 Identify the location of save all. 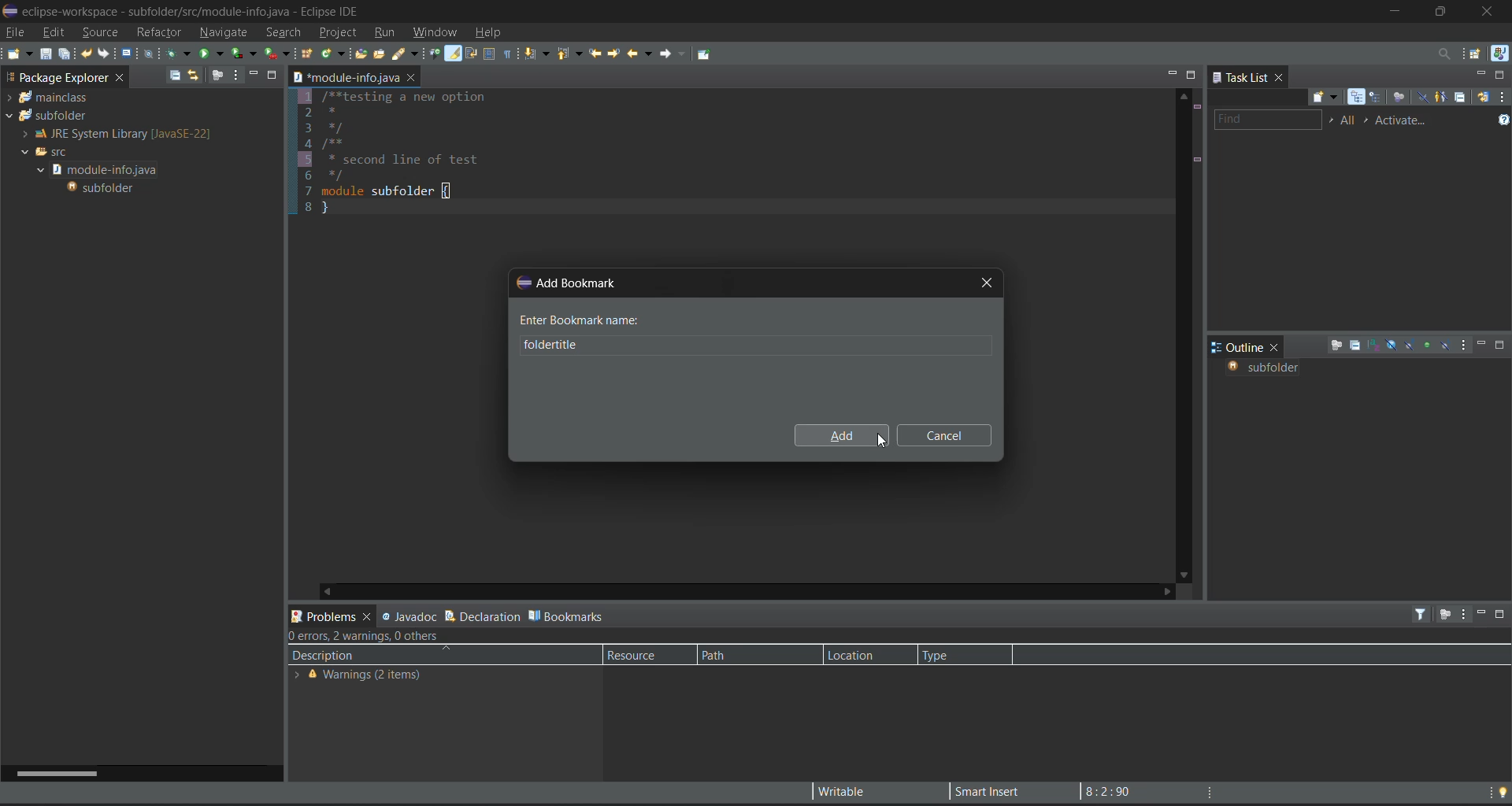
(65, 54).